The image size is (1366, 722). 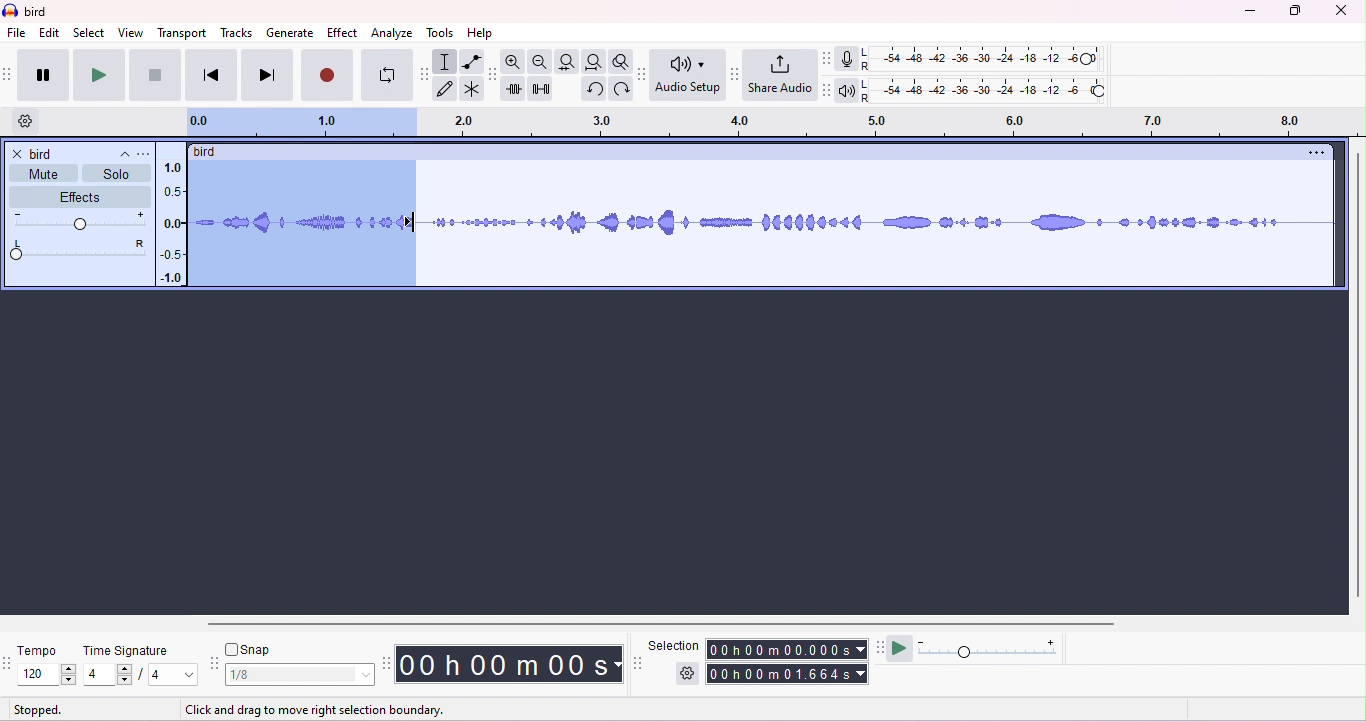 What do you see at coordinates (155, 75) in the screenshot?
I see `stop` at bounding box center [155, 75].